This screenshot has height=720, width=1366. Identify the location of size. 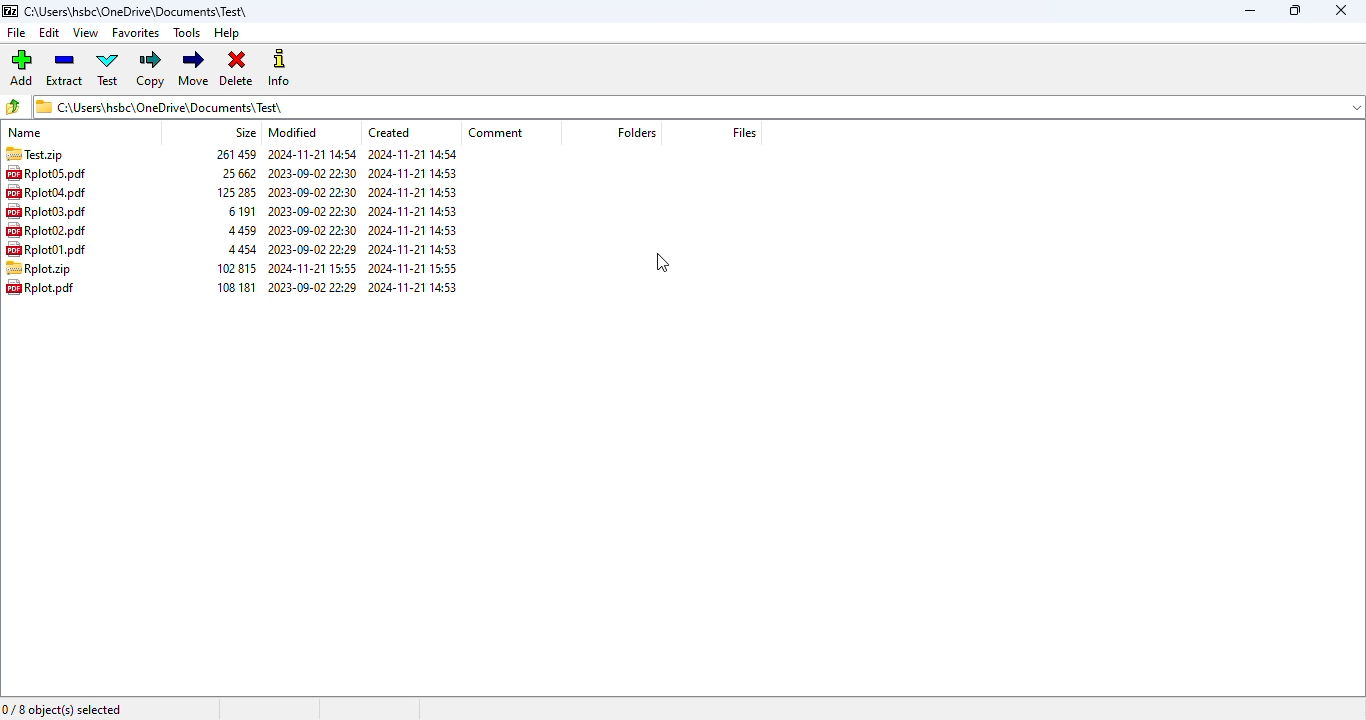
(246, 133).